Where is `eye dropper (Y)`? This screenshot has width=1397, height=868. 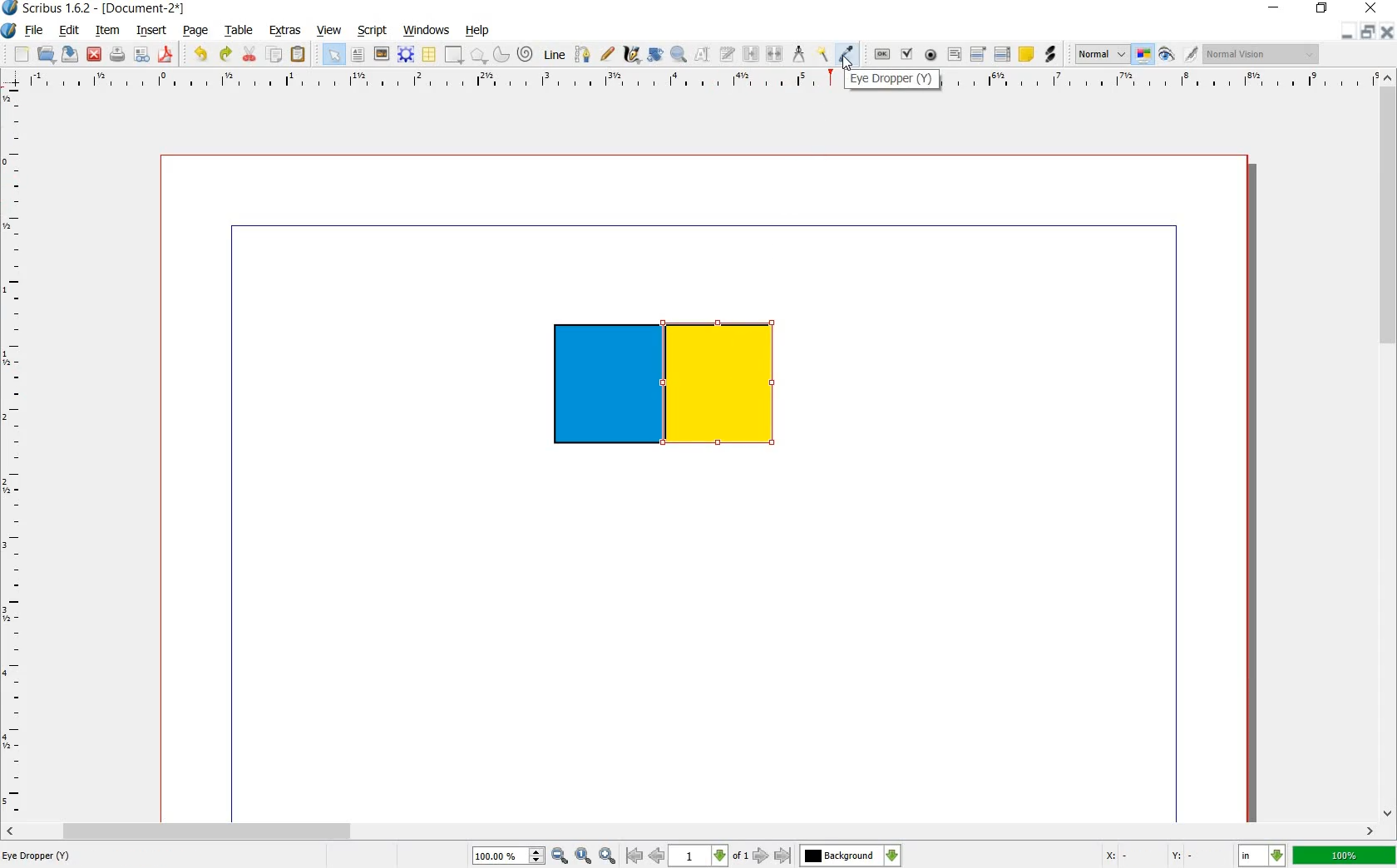 eye dropper (Y) is located at coordinates (891, 80).